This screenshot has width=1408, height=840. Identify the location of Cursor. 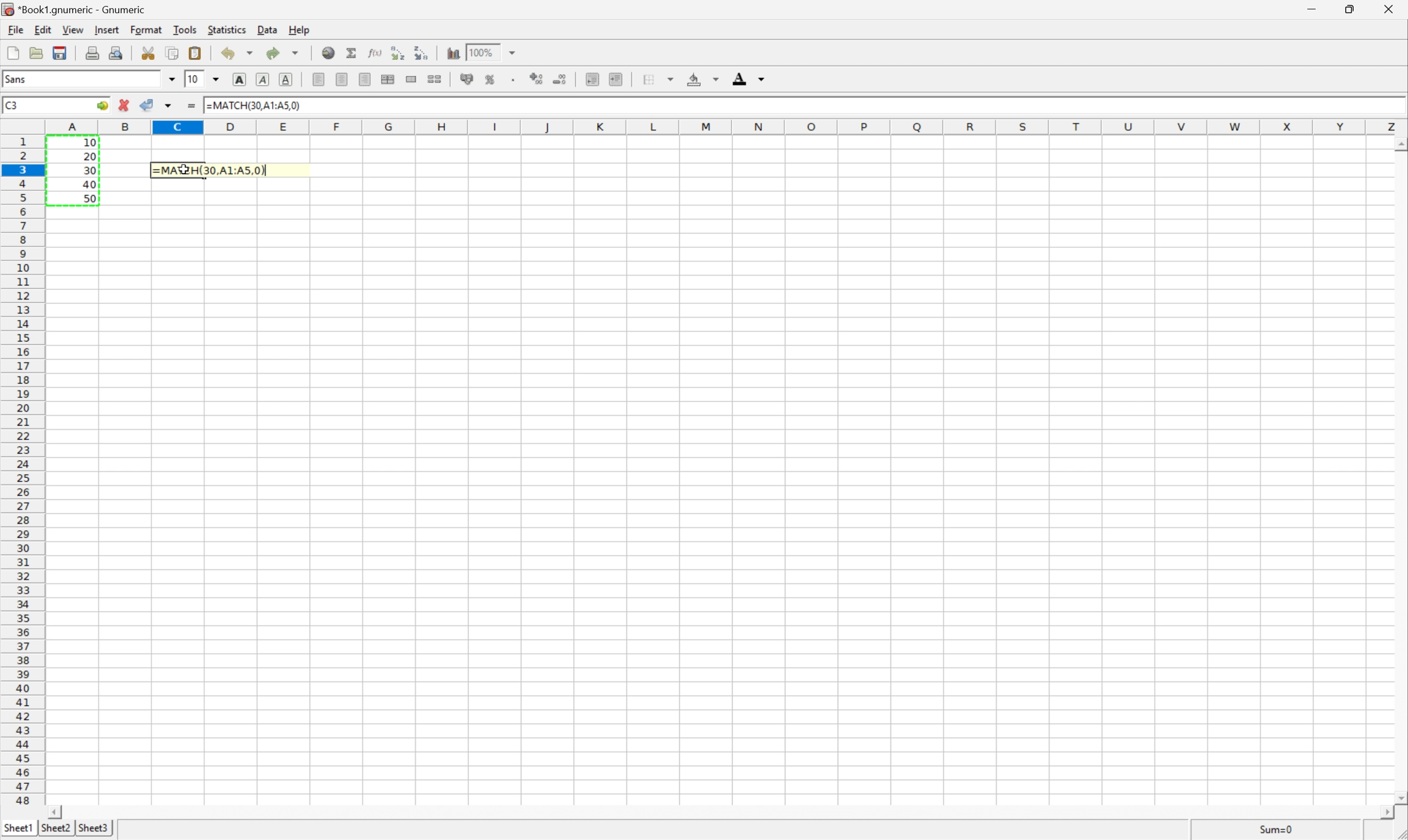
(185, 169).